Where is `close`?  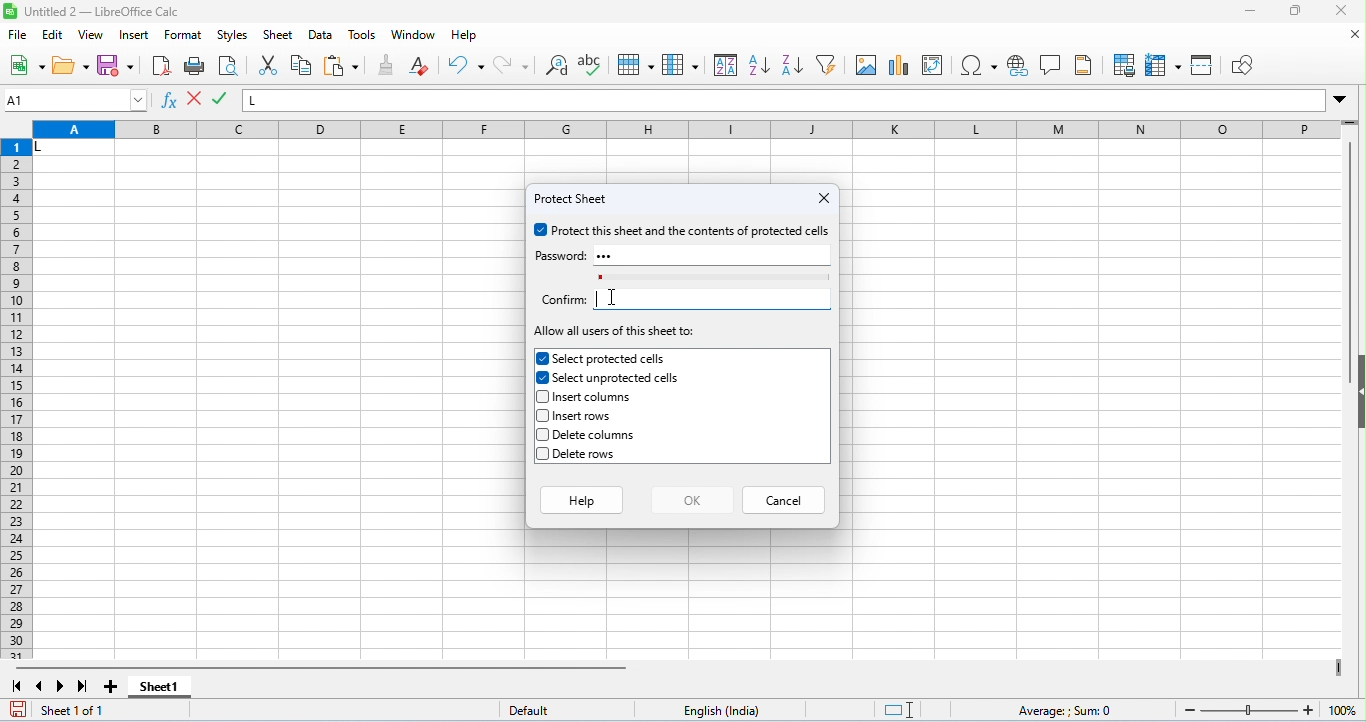 close is located at coordinates (1339, 11).